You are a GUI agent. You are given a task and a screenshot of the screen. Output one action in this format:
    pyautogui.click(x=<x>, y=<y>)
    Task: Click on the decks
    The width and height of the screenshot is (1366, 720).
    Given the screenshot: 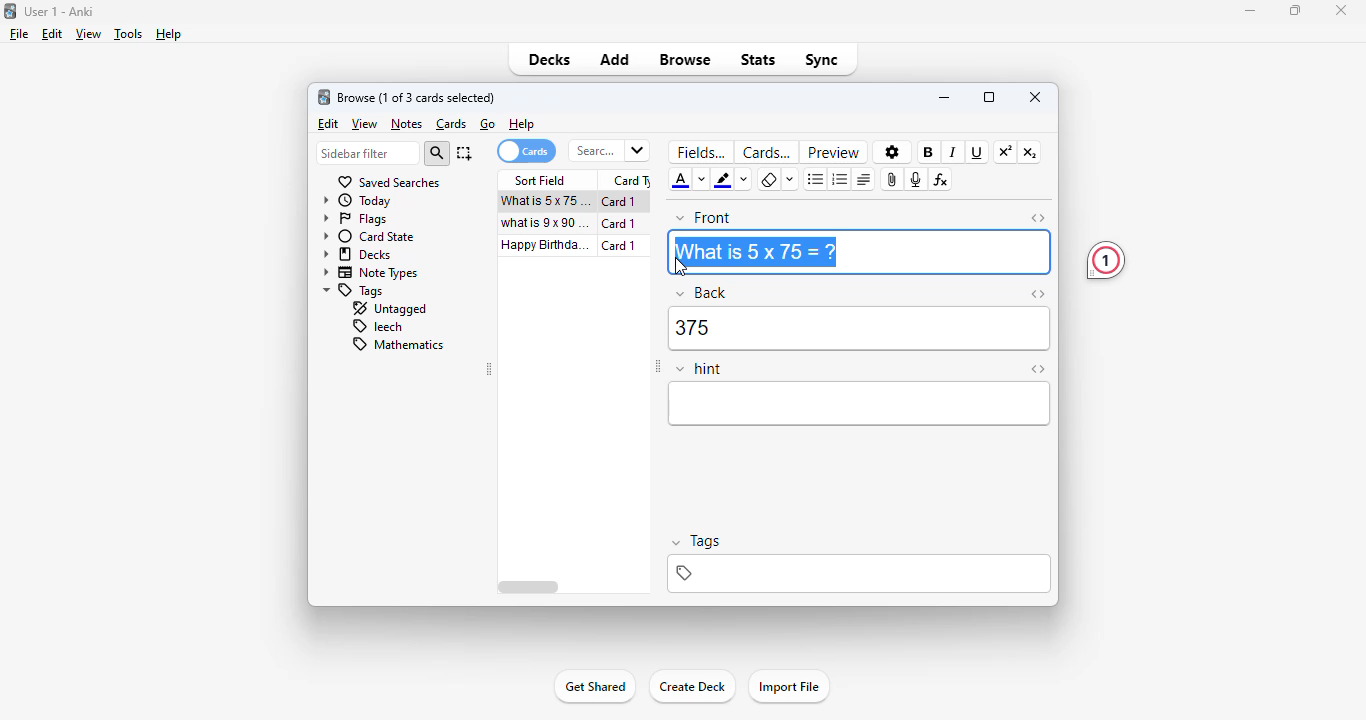 What is the action you would take?
    pyautogui.click(x=356, y=254)
    